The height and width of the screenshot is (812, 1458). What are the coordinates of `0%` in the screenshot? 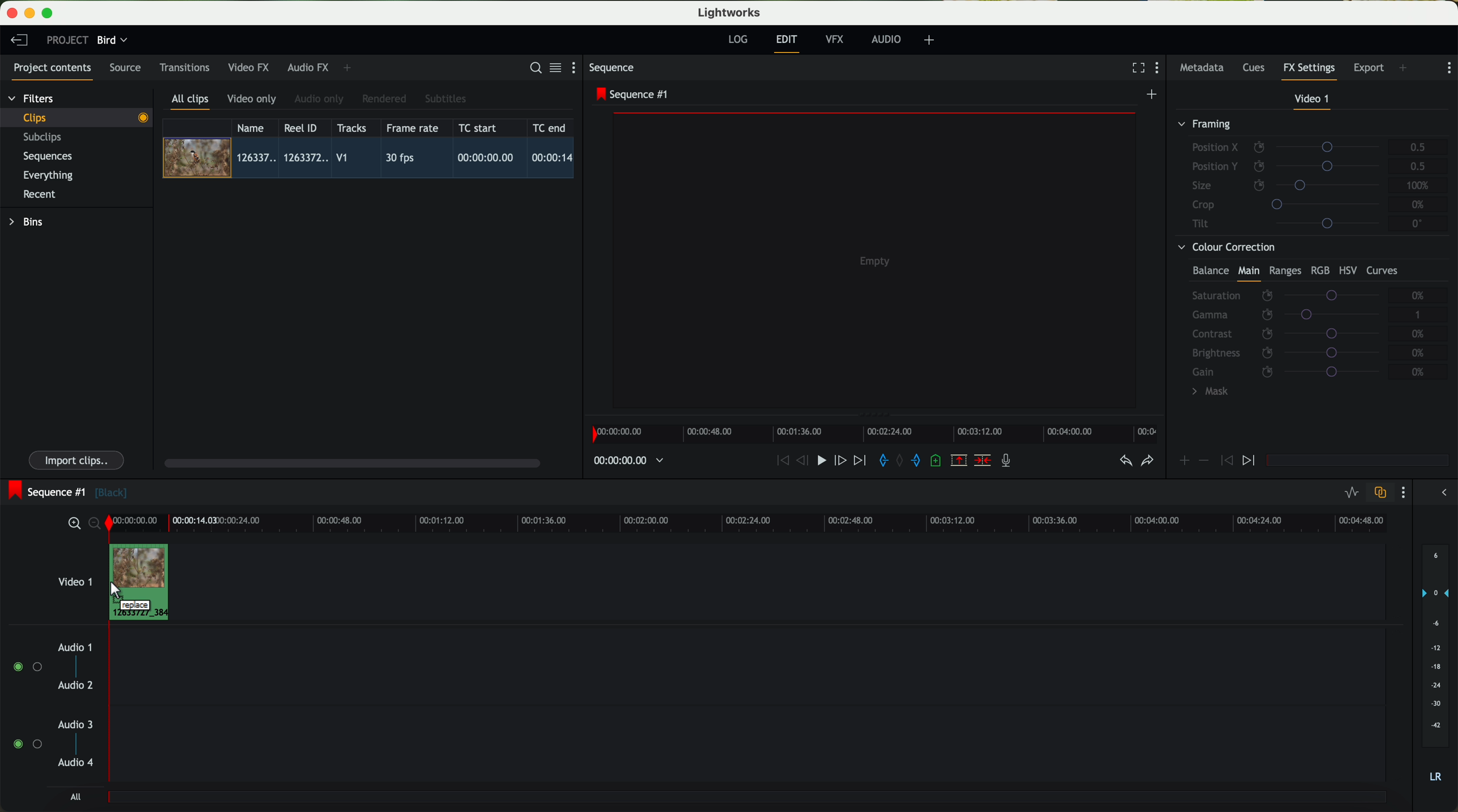 It's located at (1418, 372).